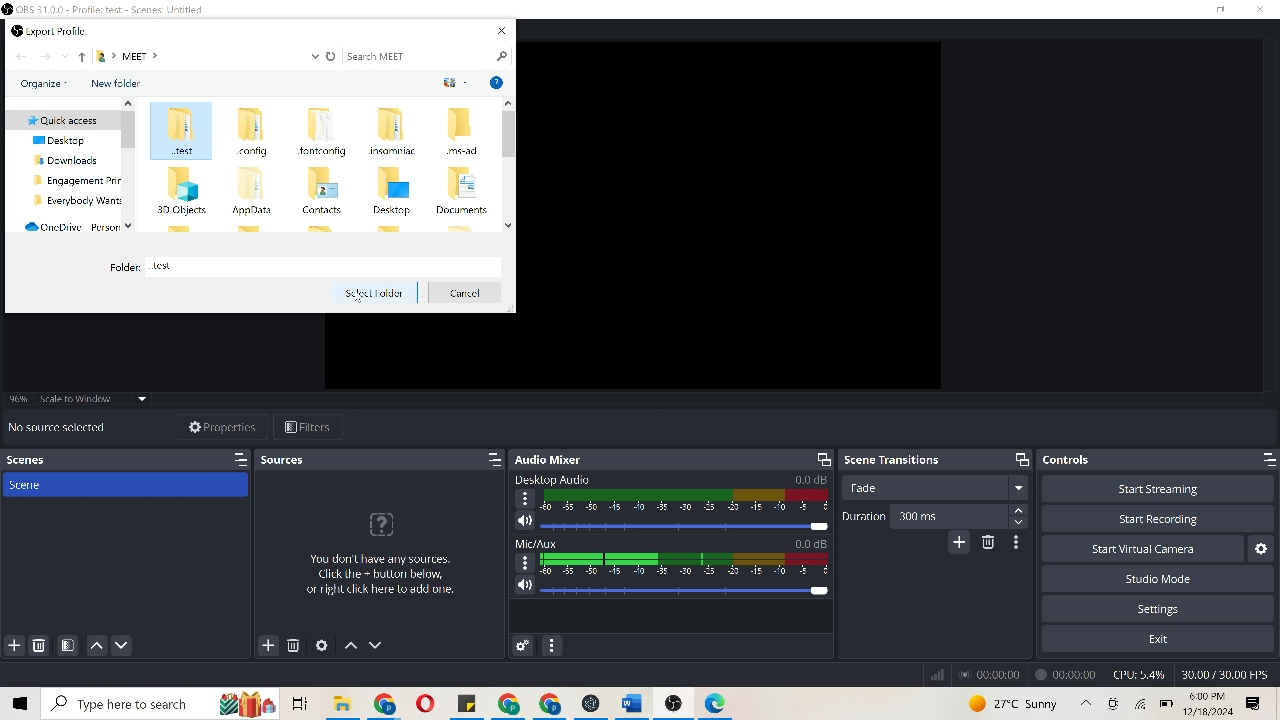  Describe the element at coordinates (1141, 705) in the screenshot. I see `wifi` at that location.